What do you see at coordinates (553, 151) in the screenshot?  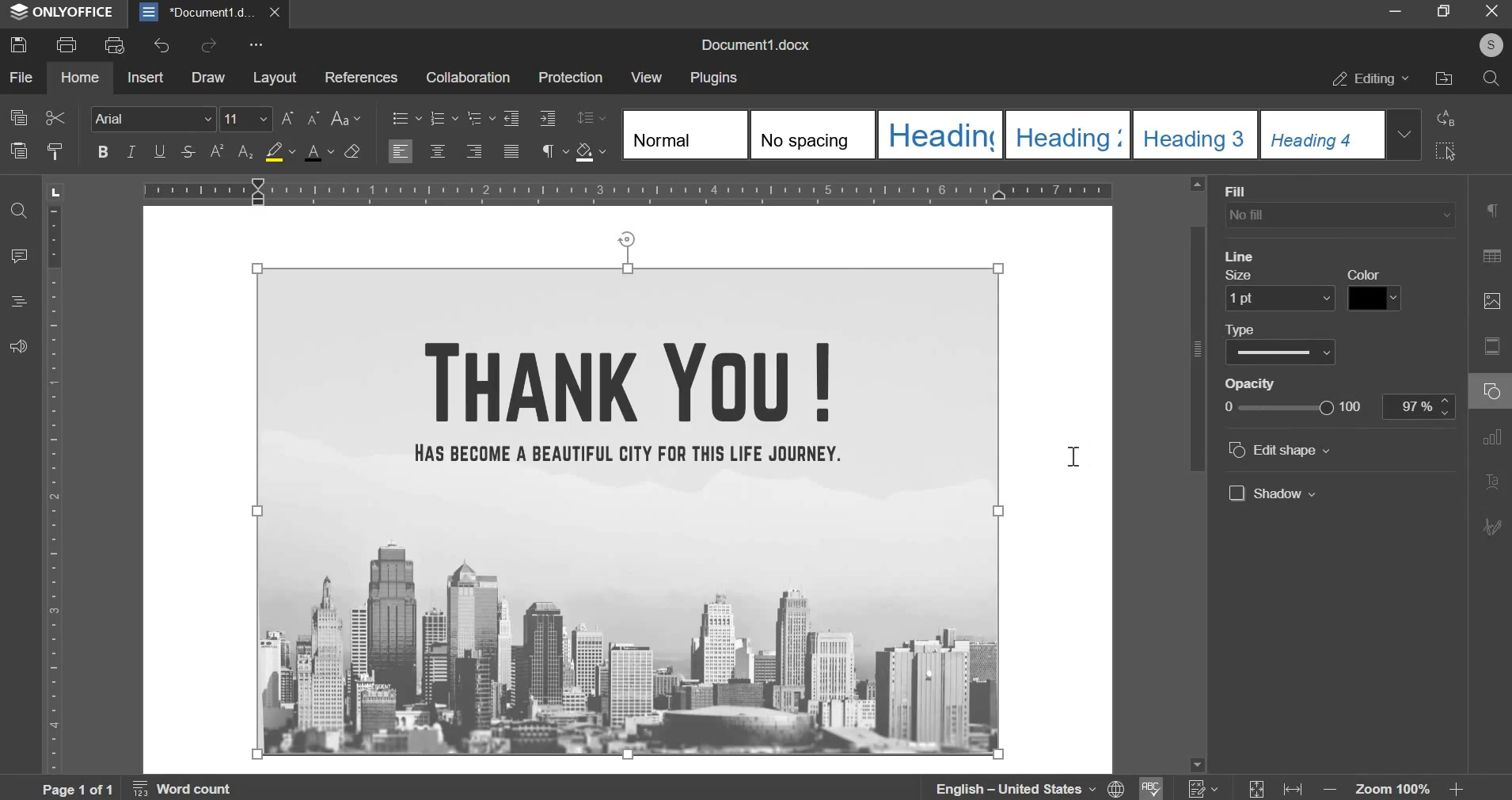 I see `paragraph settings` at bounding box center [553, 151].